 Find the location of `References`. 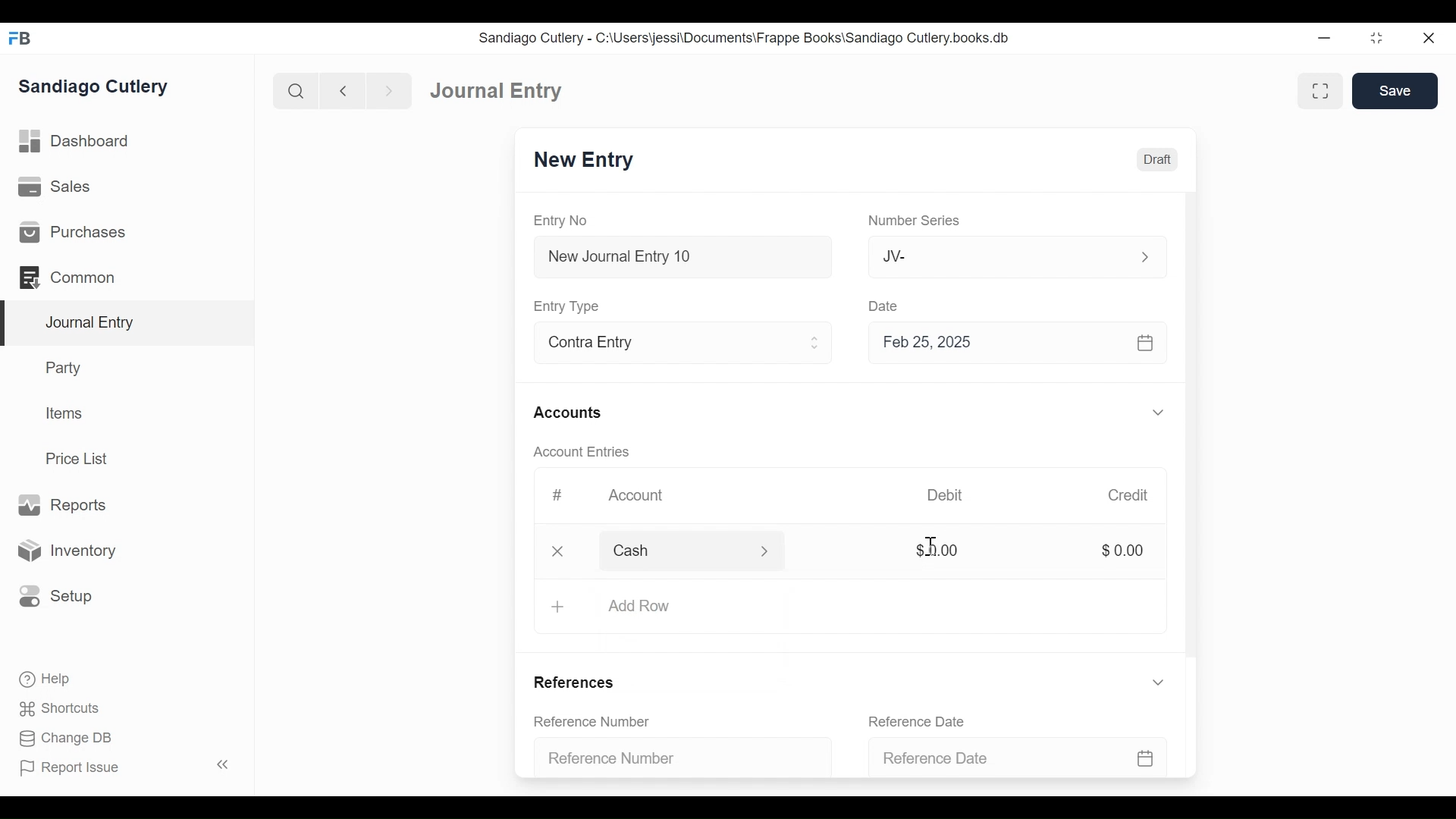

References is located at coordinates (575, 682).